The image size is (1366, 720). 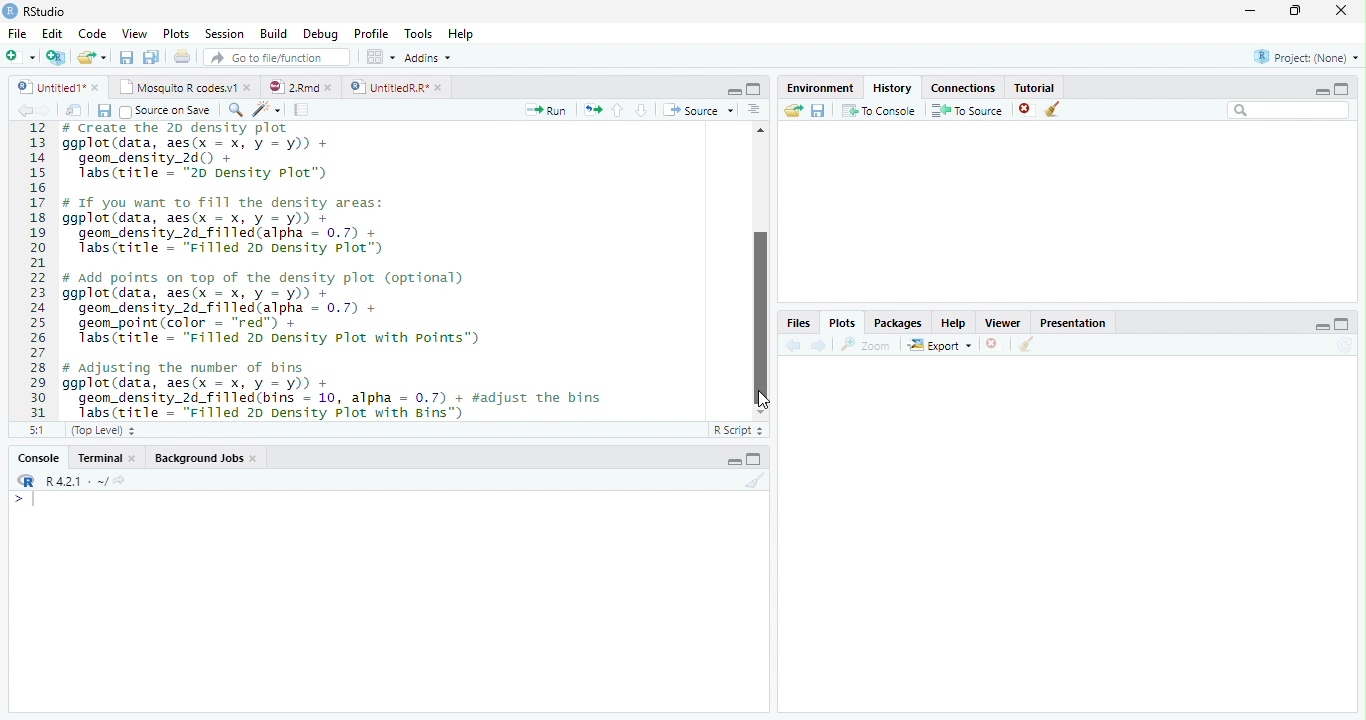 What do you see at coordinates (46, 87) in the screenshot?
I see `Untitled1` at bounding box center [46, 87].